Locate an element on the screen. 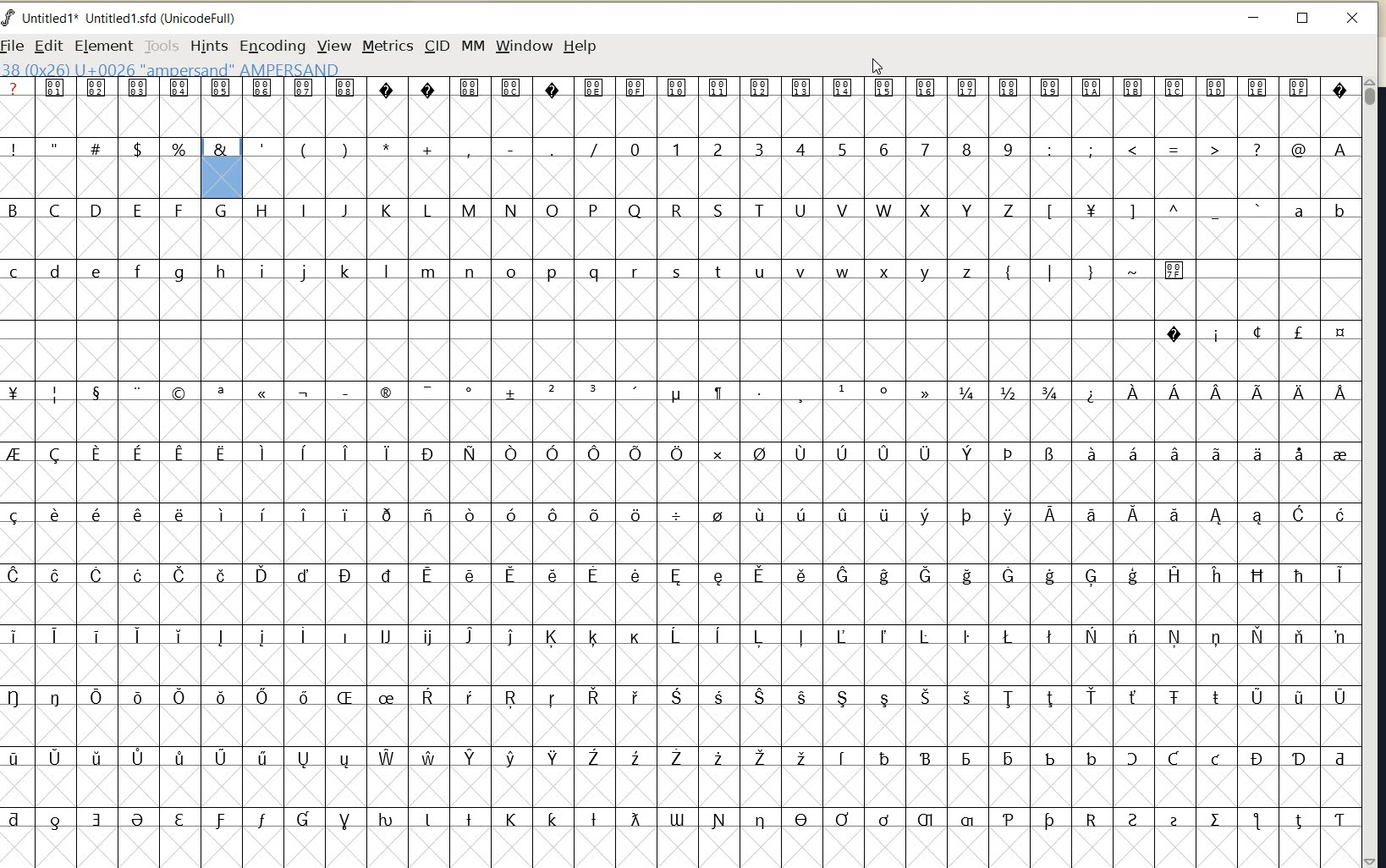 Image resolution: width=1386 pixels, height=868 pixels. RESTORE is located at coordinates (1302, 19).